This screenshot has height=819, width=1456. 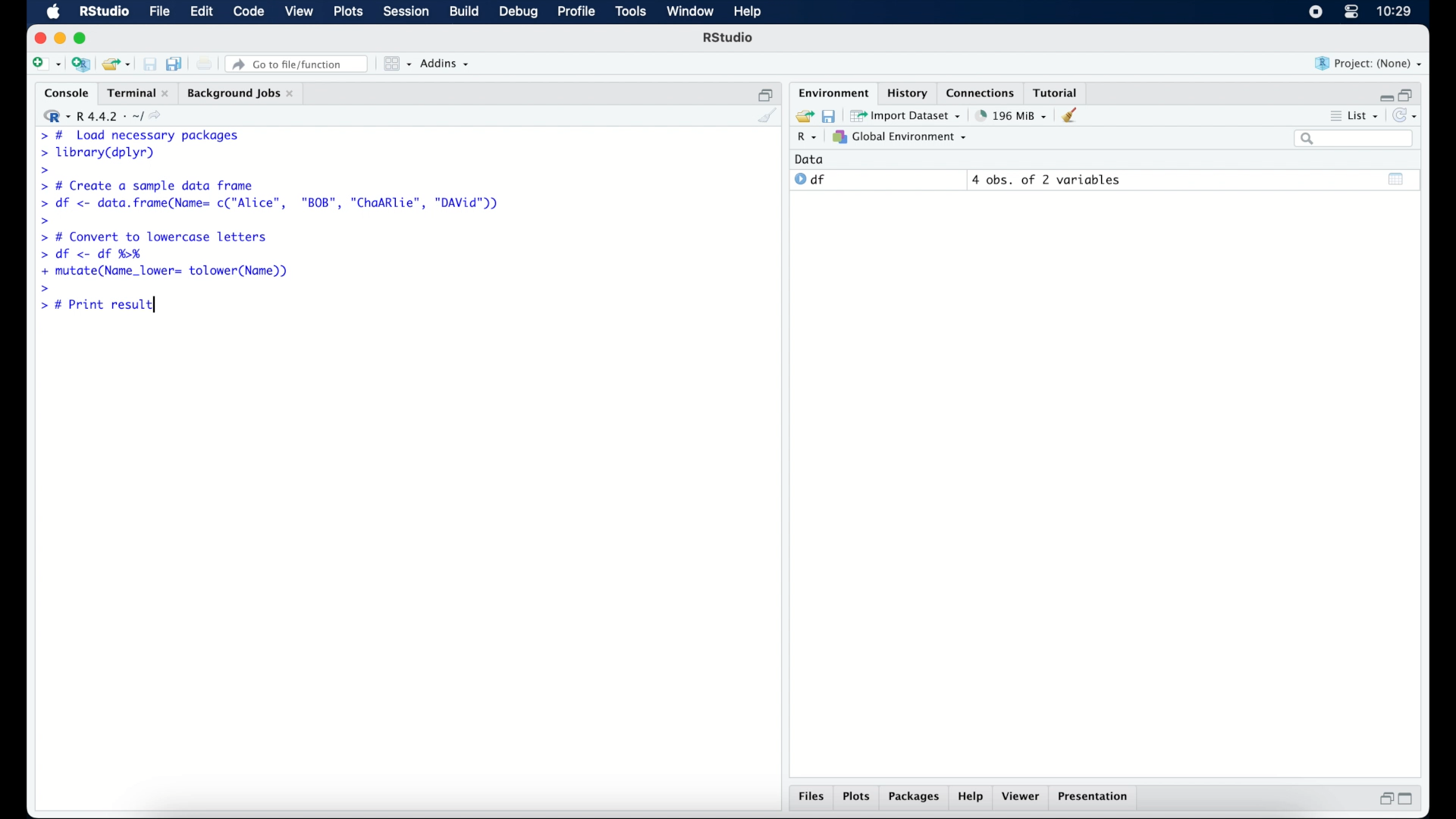 What do you see at coordinates (83, 38) in the screenshot?
I see `maximize` at bounding box center [83, 38].